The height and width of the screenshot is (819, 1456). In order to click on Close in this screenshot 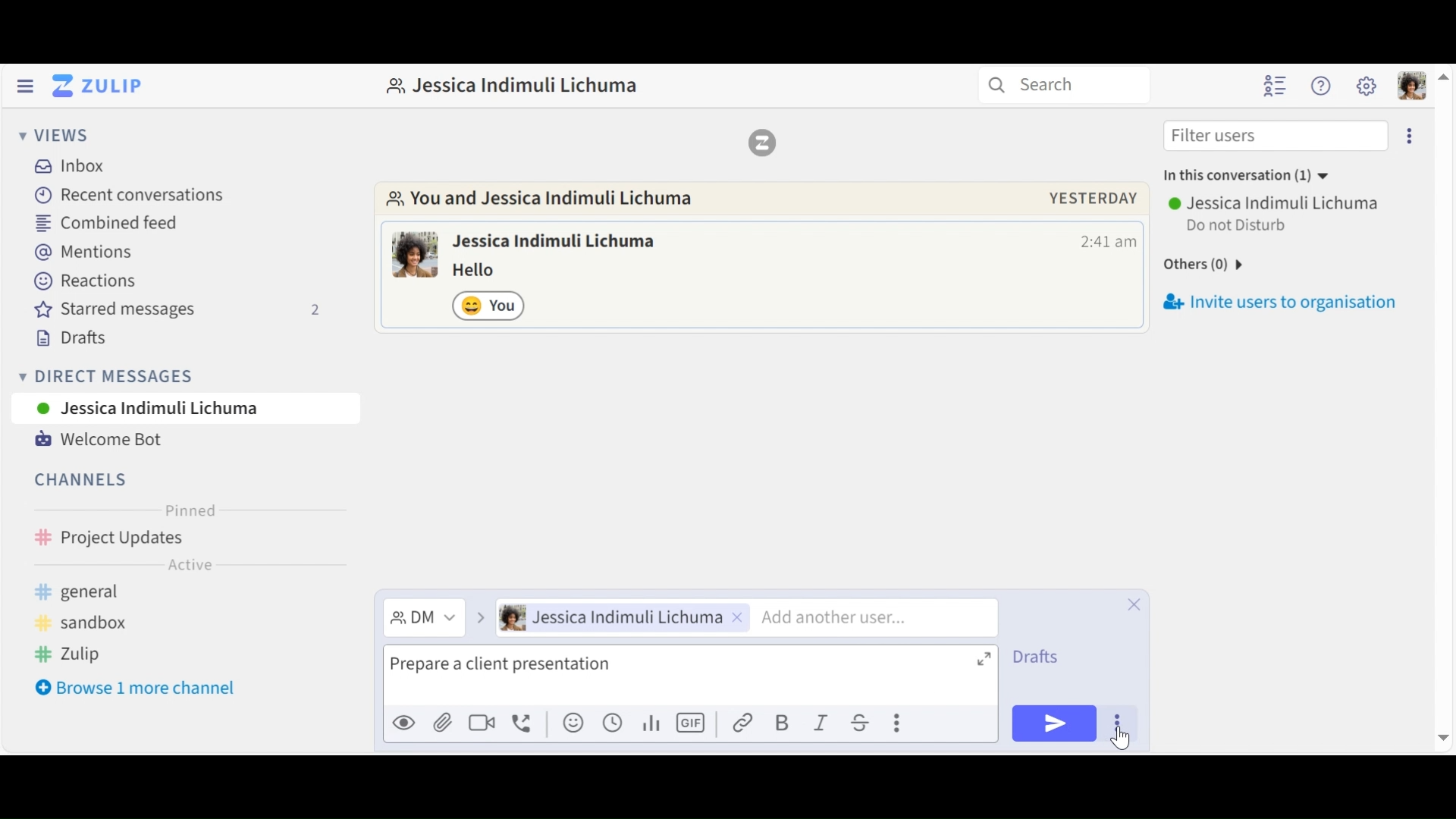, I will do `click(1134, 603)`.